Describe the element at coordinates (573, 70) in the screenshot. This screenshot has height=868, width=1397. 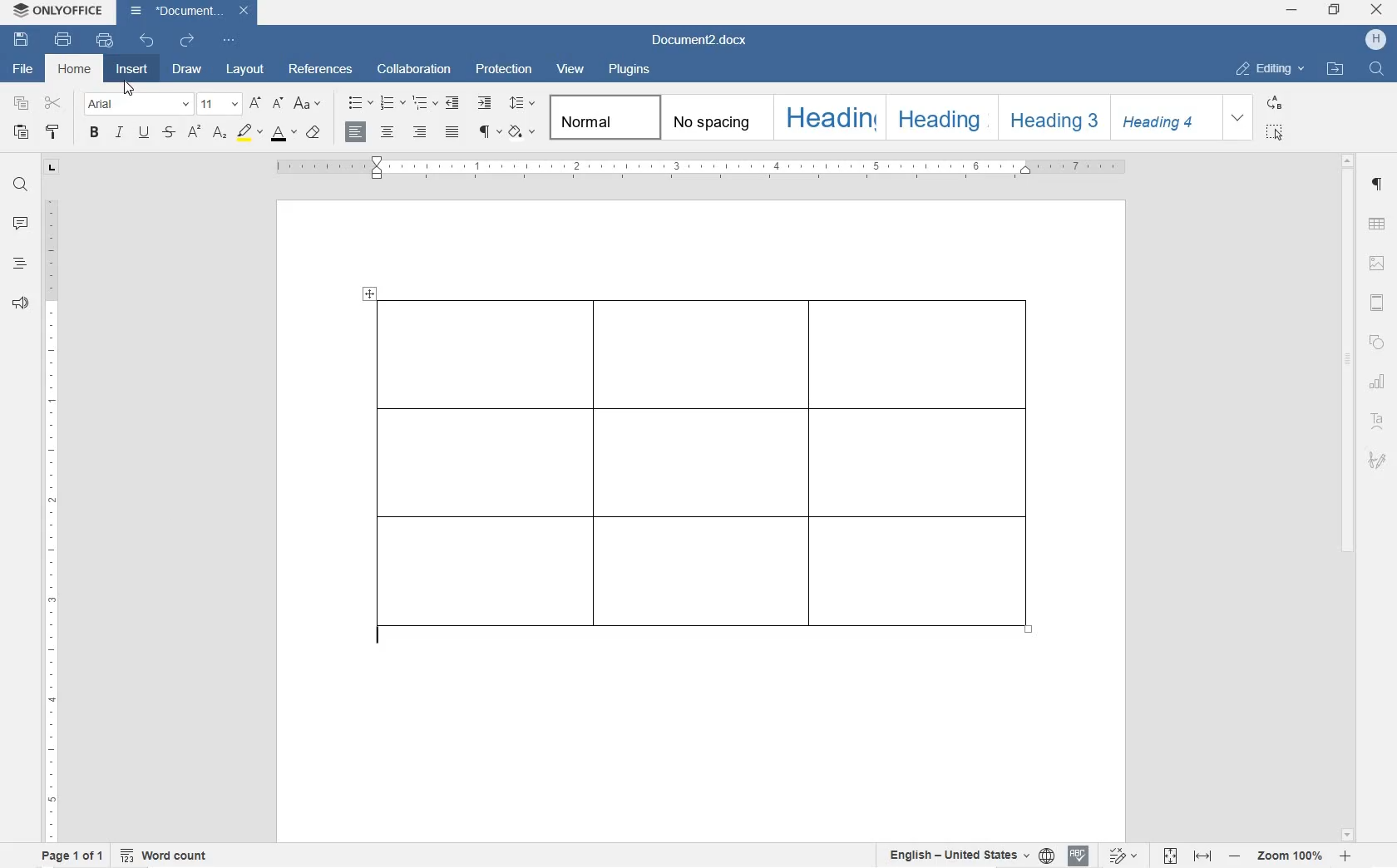
I see `view` at that location.